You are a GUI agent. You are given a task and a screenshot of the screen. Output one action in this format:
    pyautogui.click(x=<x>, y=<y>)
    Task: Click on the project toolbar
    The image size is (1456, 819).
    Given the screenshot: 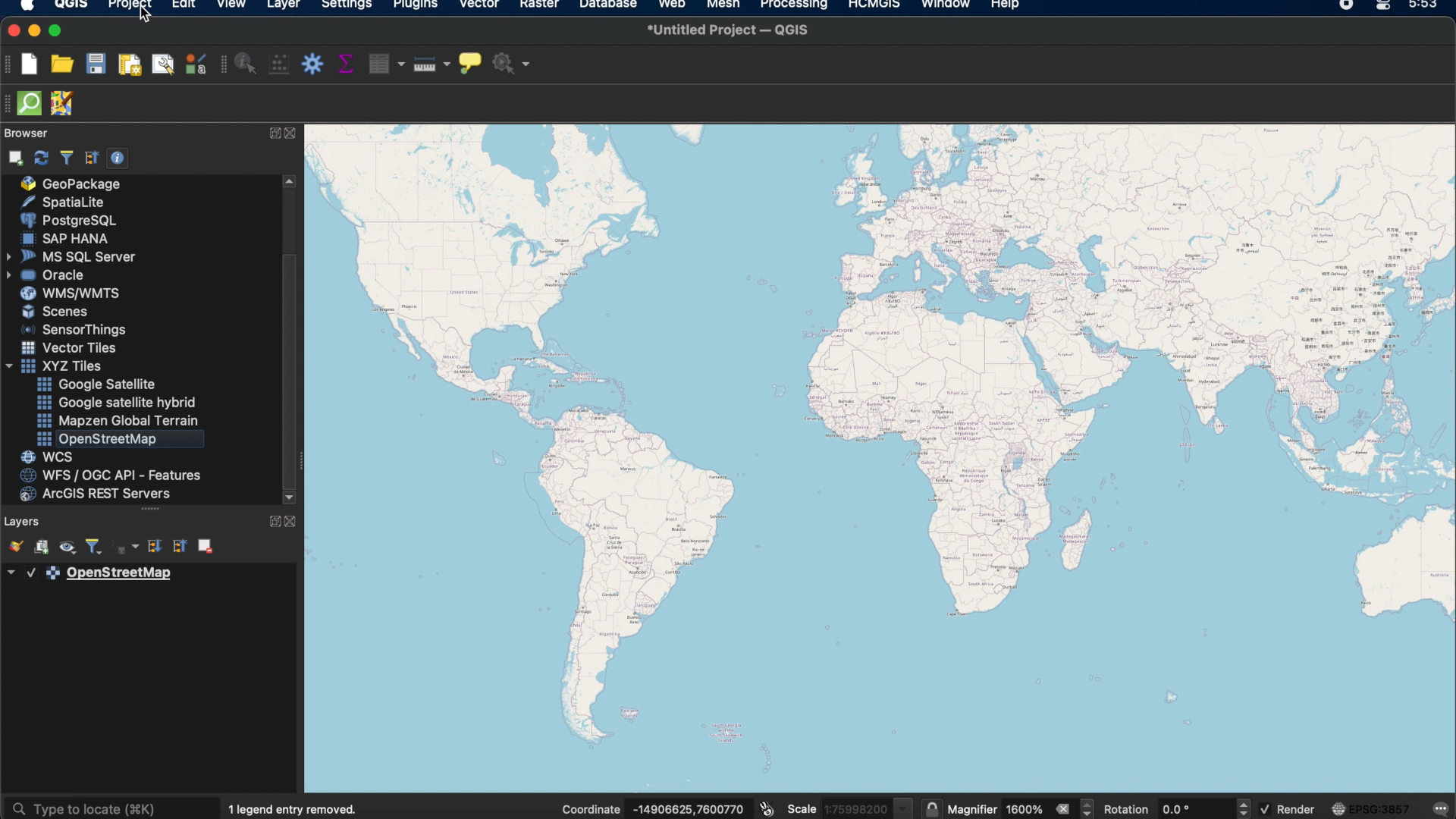 What is the action you would take?
    pyautogui.click(x=9, y=66)
    